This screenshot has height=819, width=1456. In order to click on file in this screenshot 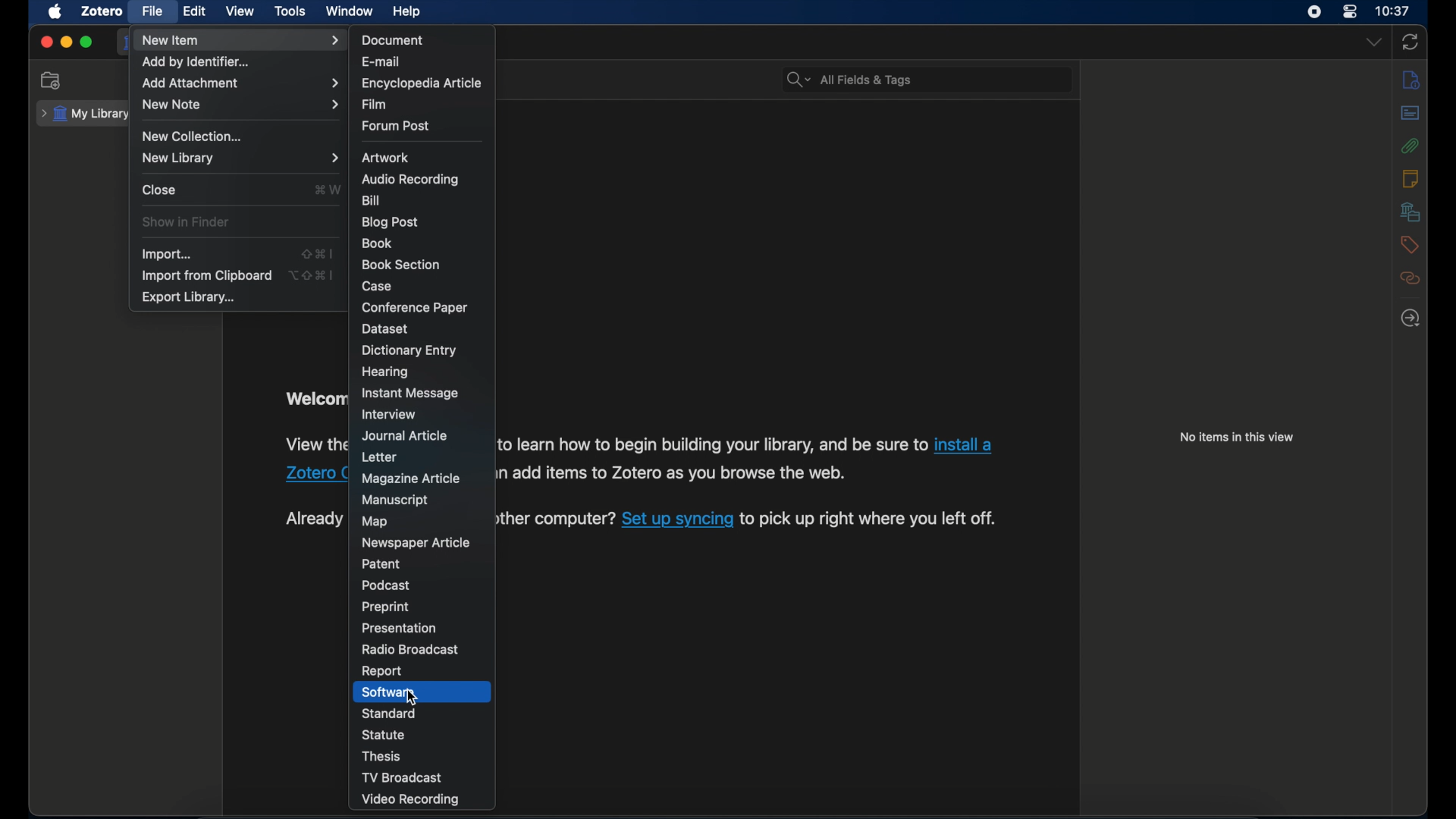, I will do `click(153, 12)`.